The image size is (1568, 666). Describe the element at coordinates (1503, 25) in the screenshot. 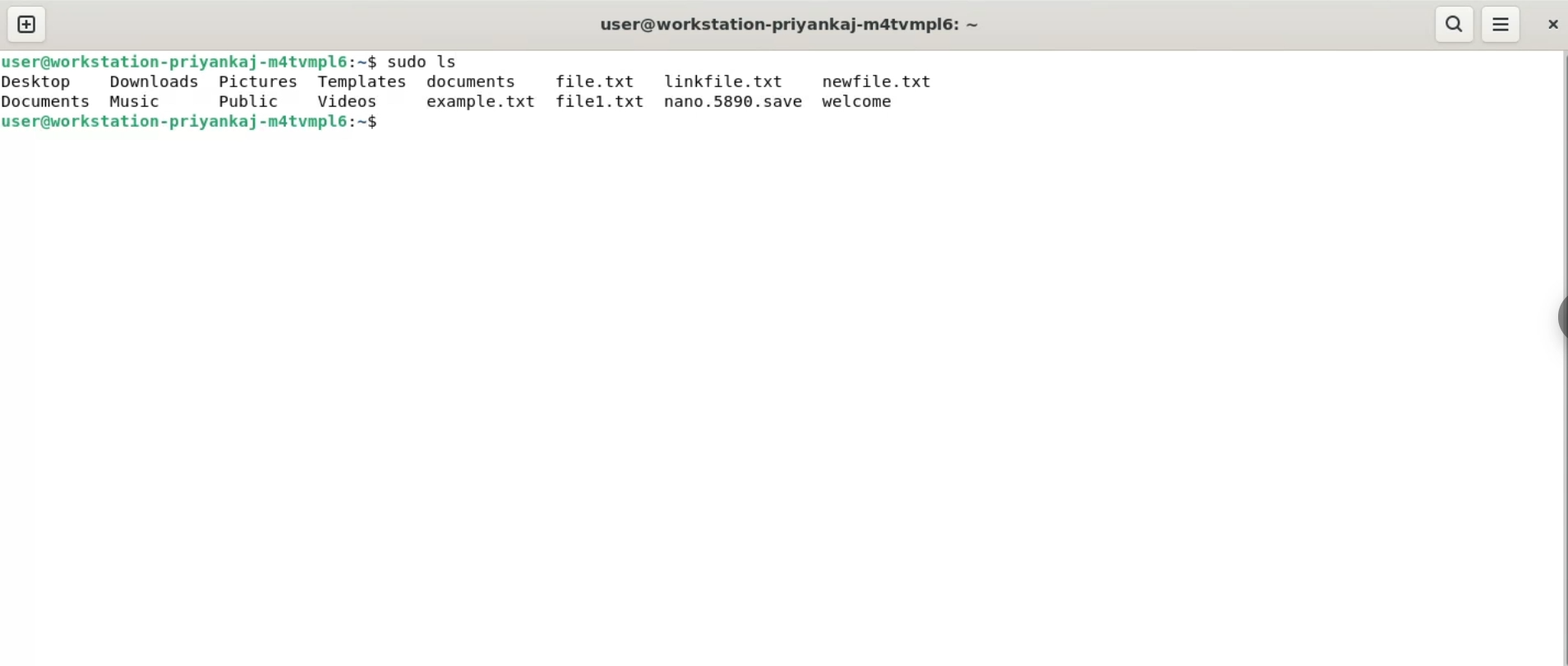

I see `menu` at that location.